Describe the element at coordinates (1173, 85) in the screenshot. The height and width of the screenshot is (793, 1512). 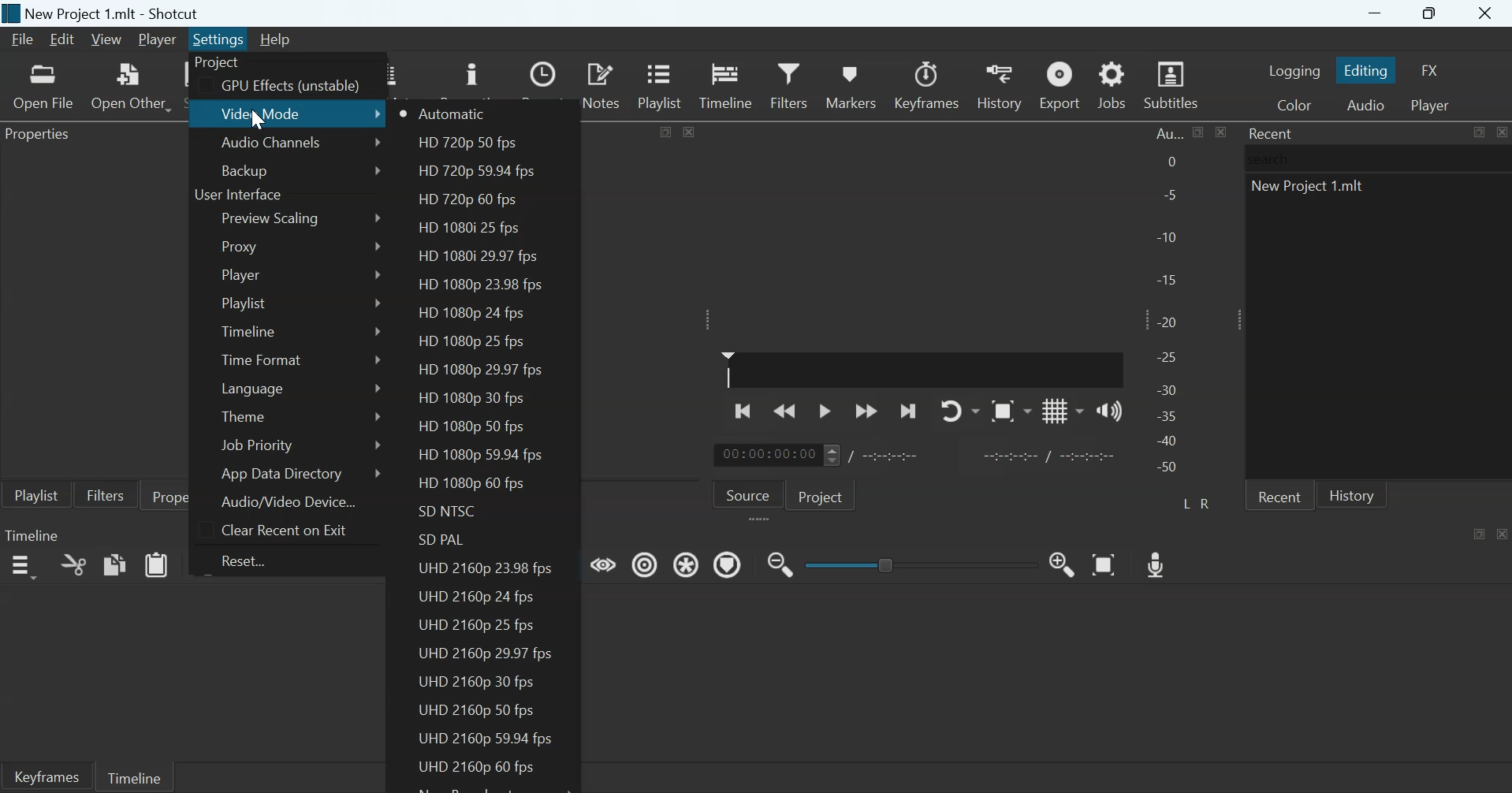
I see `Subtitles` at that location.